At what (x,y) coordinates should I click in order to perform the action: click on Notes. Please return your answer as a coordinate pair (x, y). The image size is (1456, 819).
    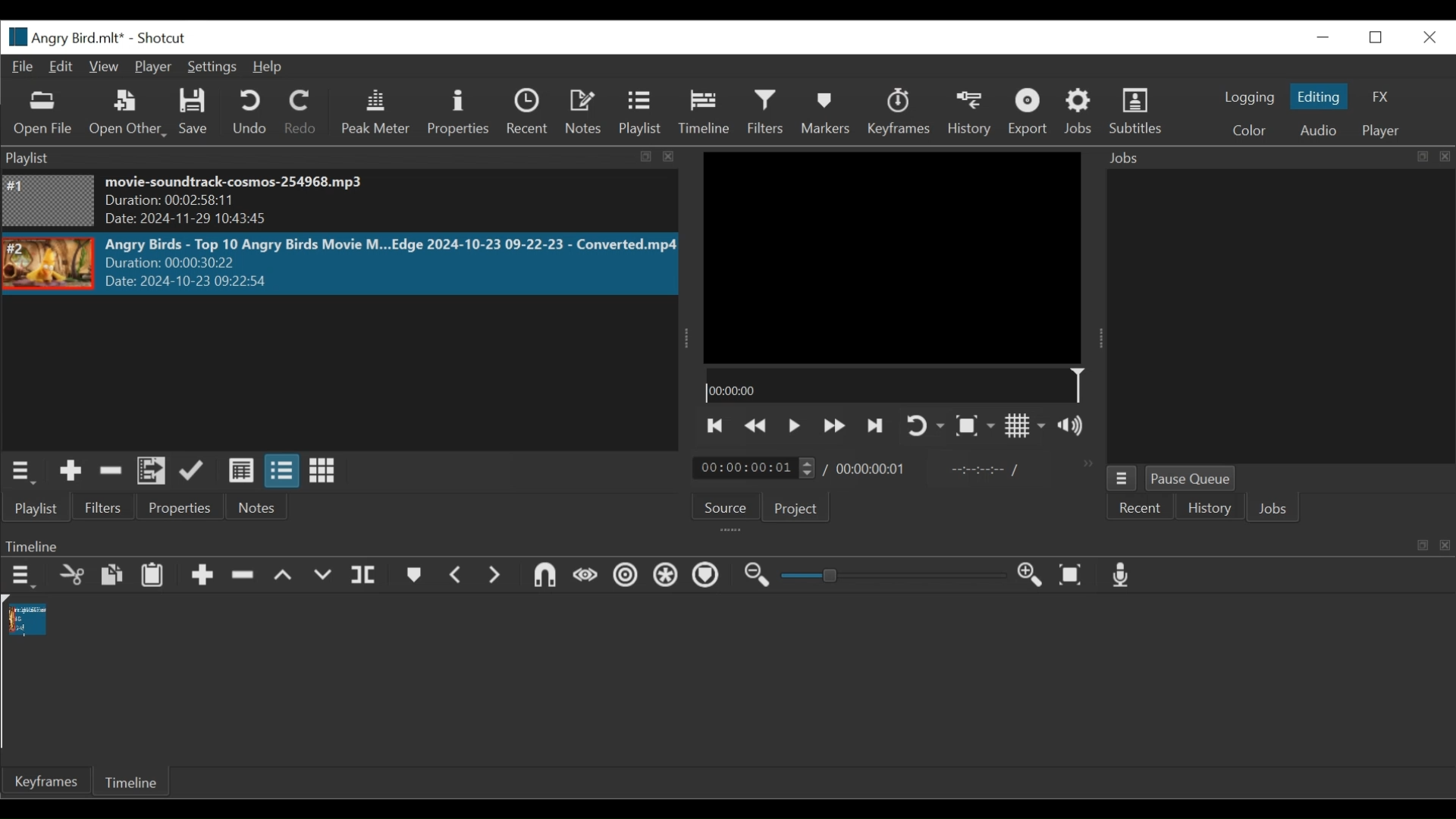
    Looking at the image, I should click on (582, 111).